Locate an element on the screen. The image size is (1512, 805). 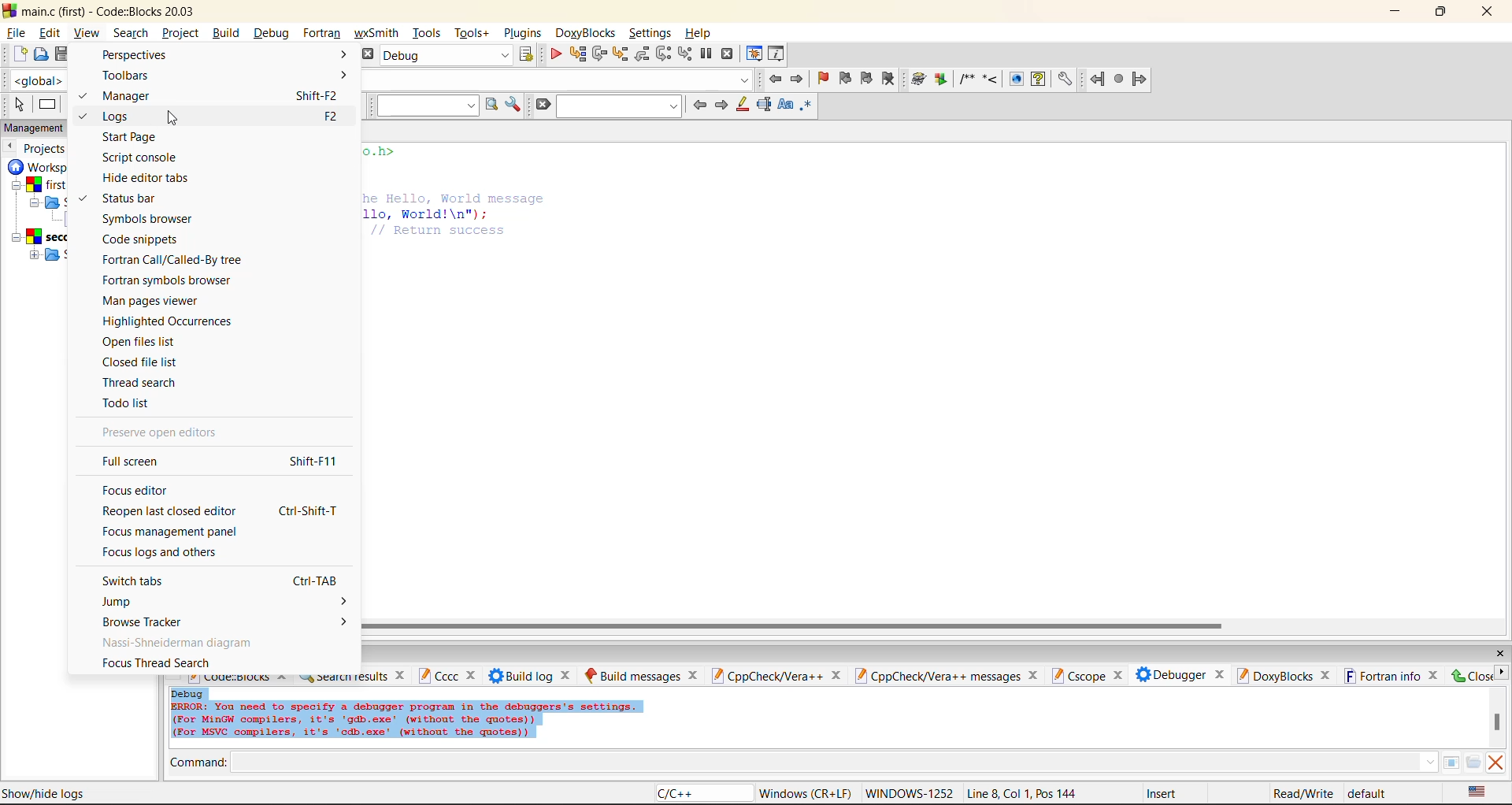
jump forward is located at coordinates (800, 80).